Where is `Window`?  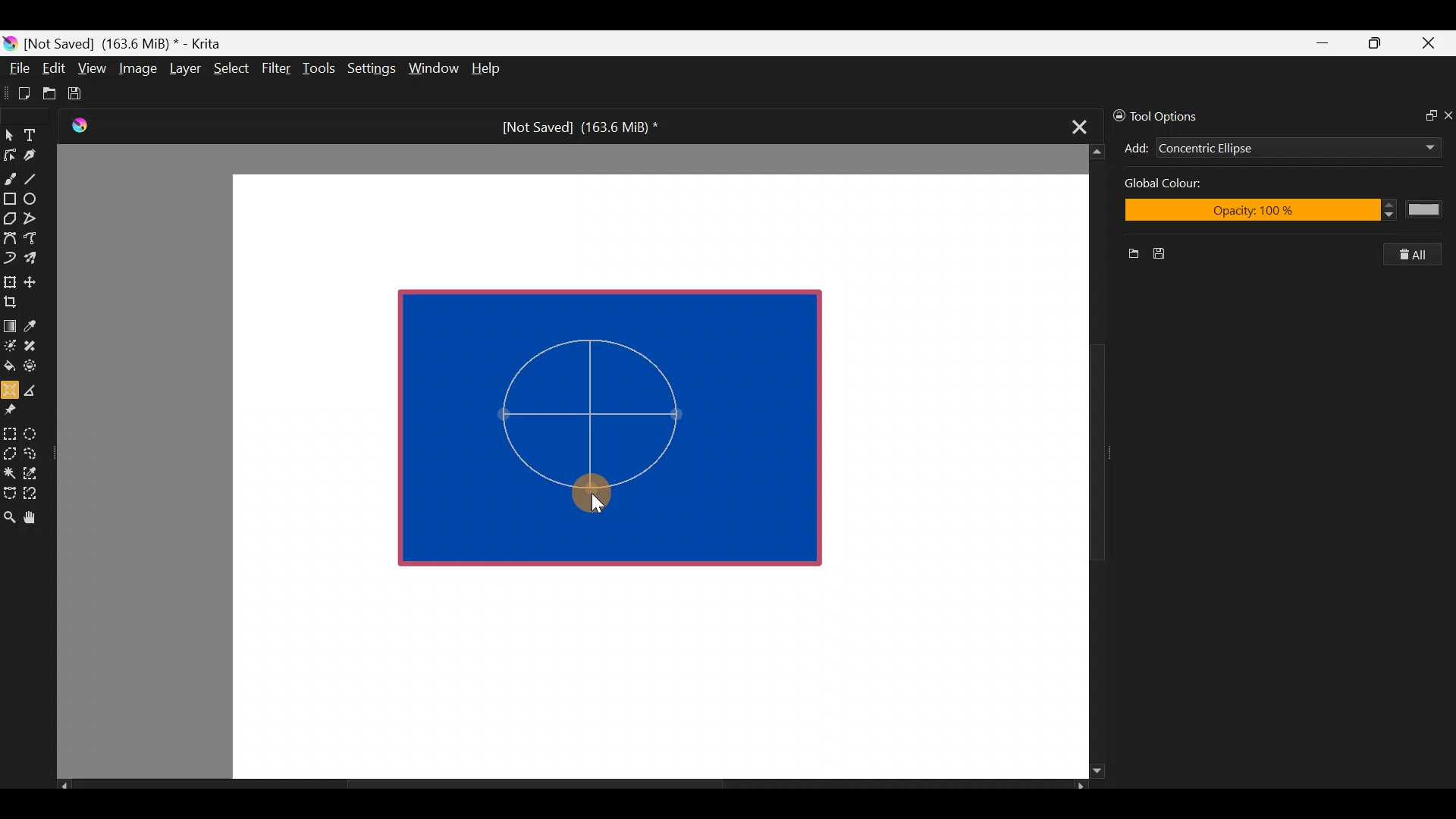
Window is located at coordinates (433, 70).